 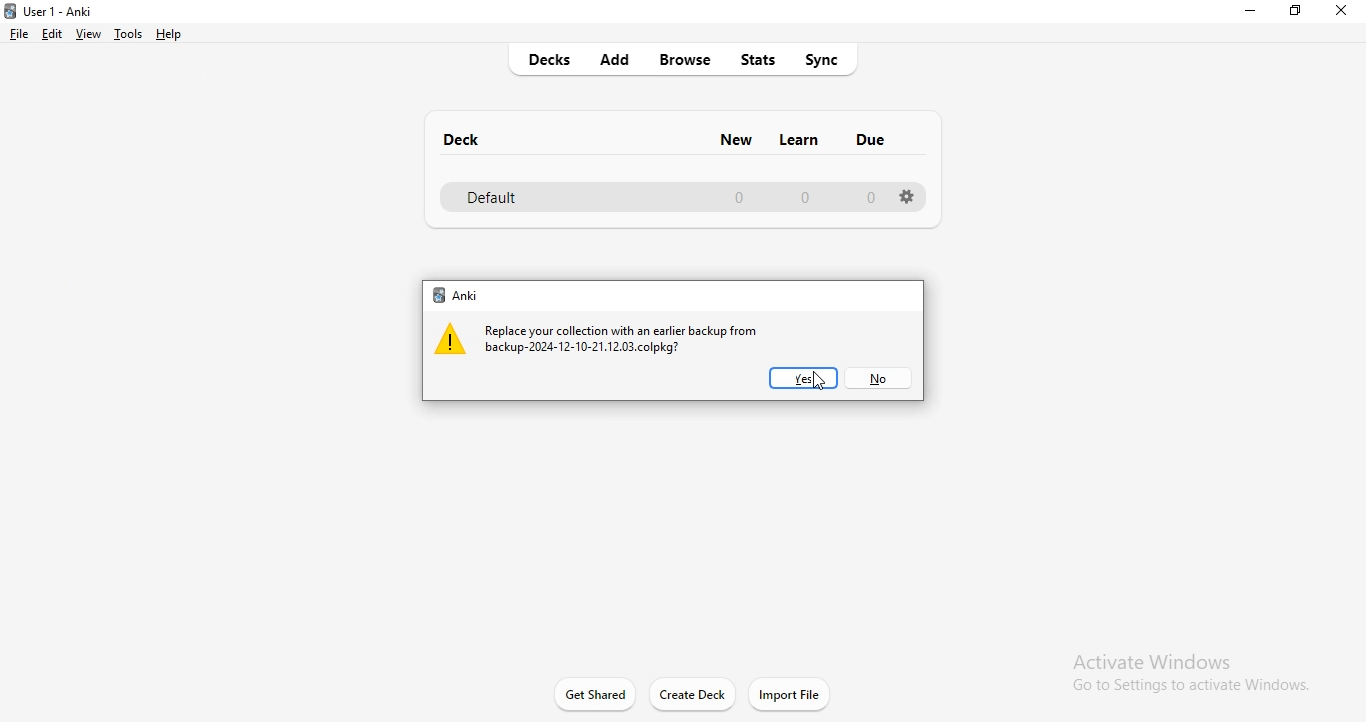 I want to click on Anki logo and title, so click(x=59, y=8).